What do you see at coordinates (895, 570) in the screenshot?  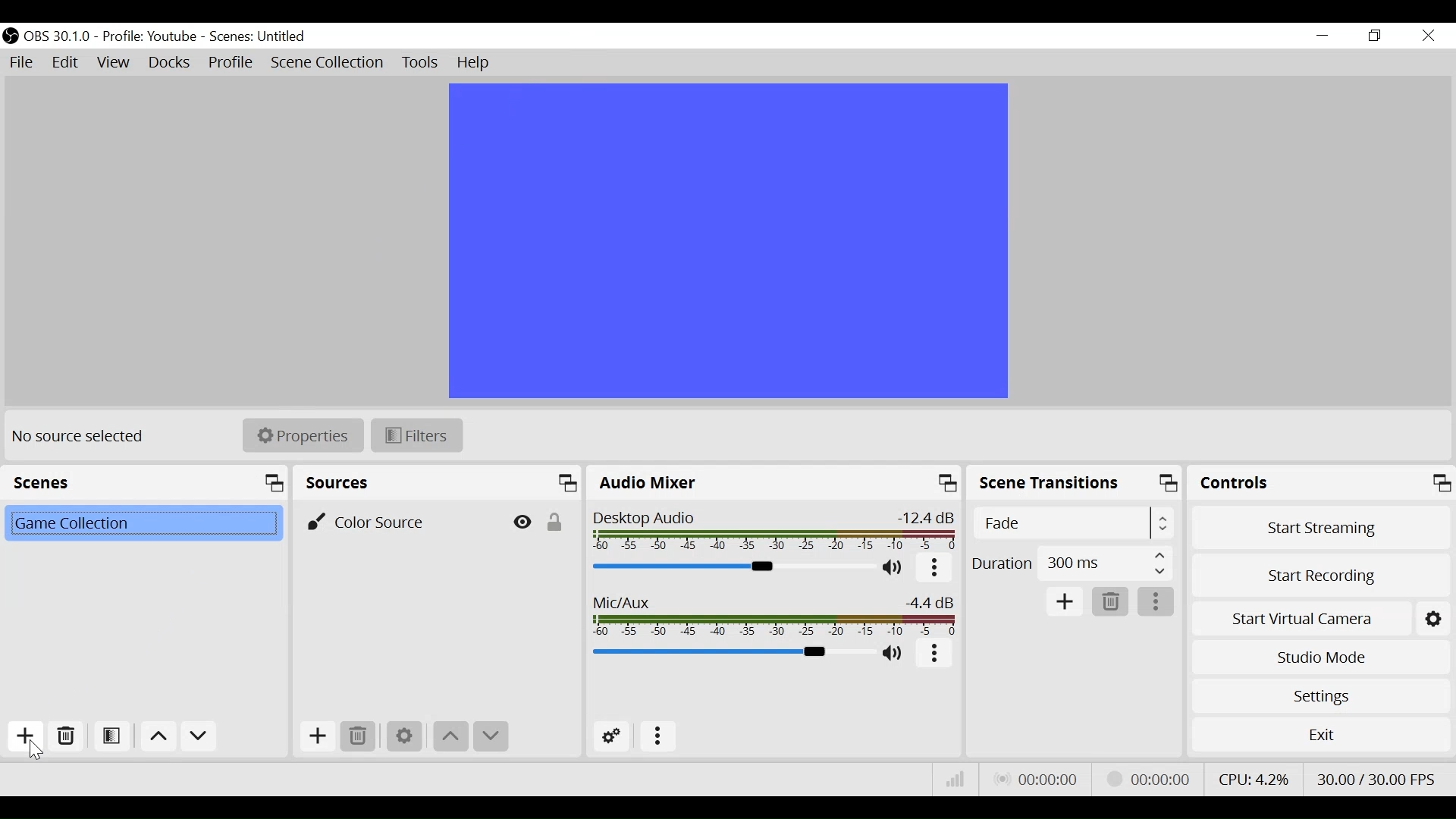 I see `(un)mute` at bounding box center [895, 570].